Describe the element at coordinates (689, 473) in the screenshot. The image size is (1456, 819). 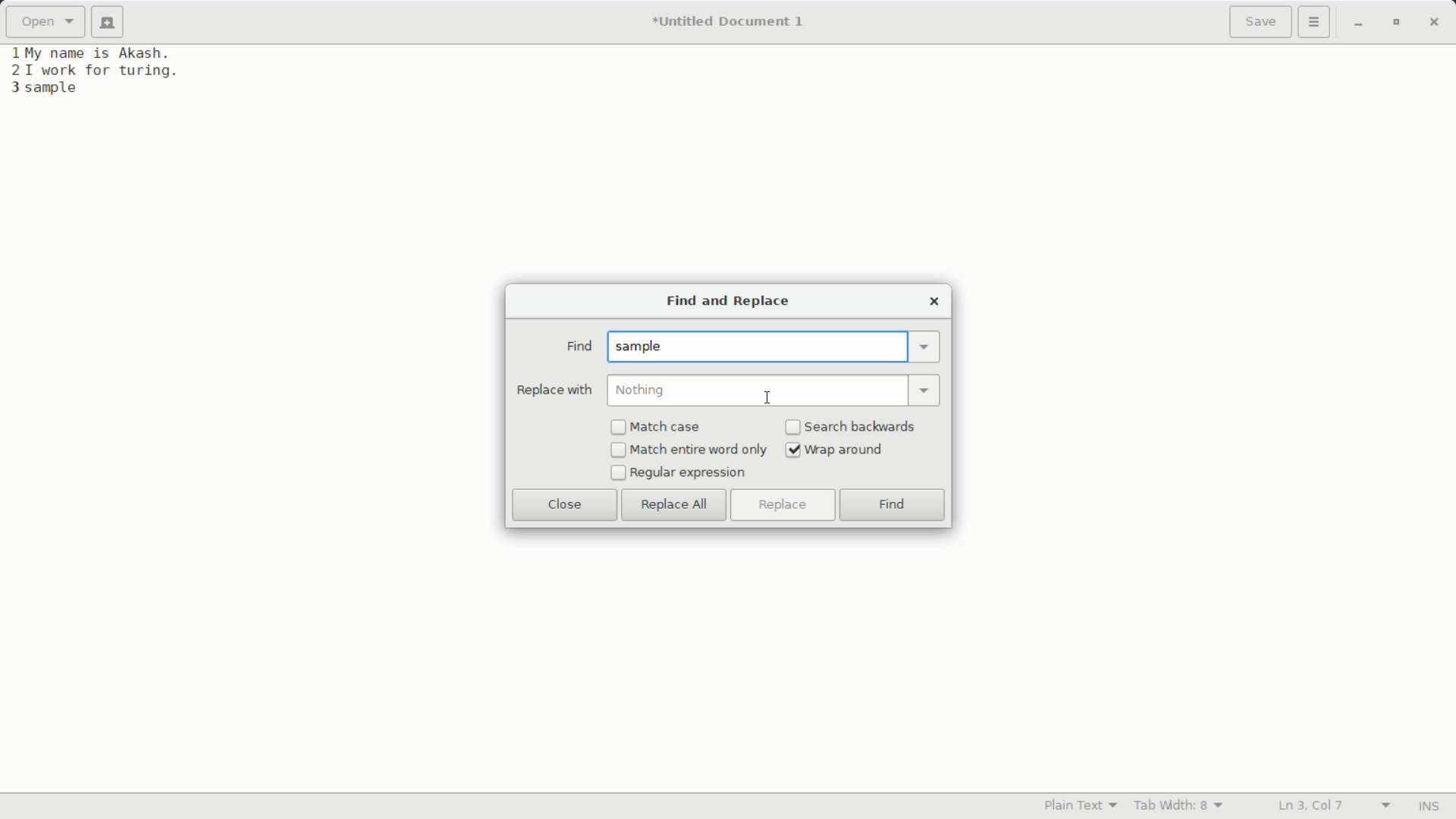
I see `regular expression` at that location.